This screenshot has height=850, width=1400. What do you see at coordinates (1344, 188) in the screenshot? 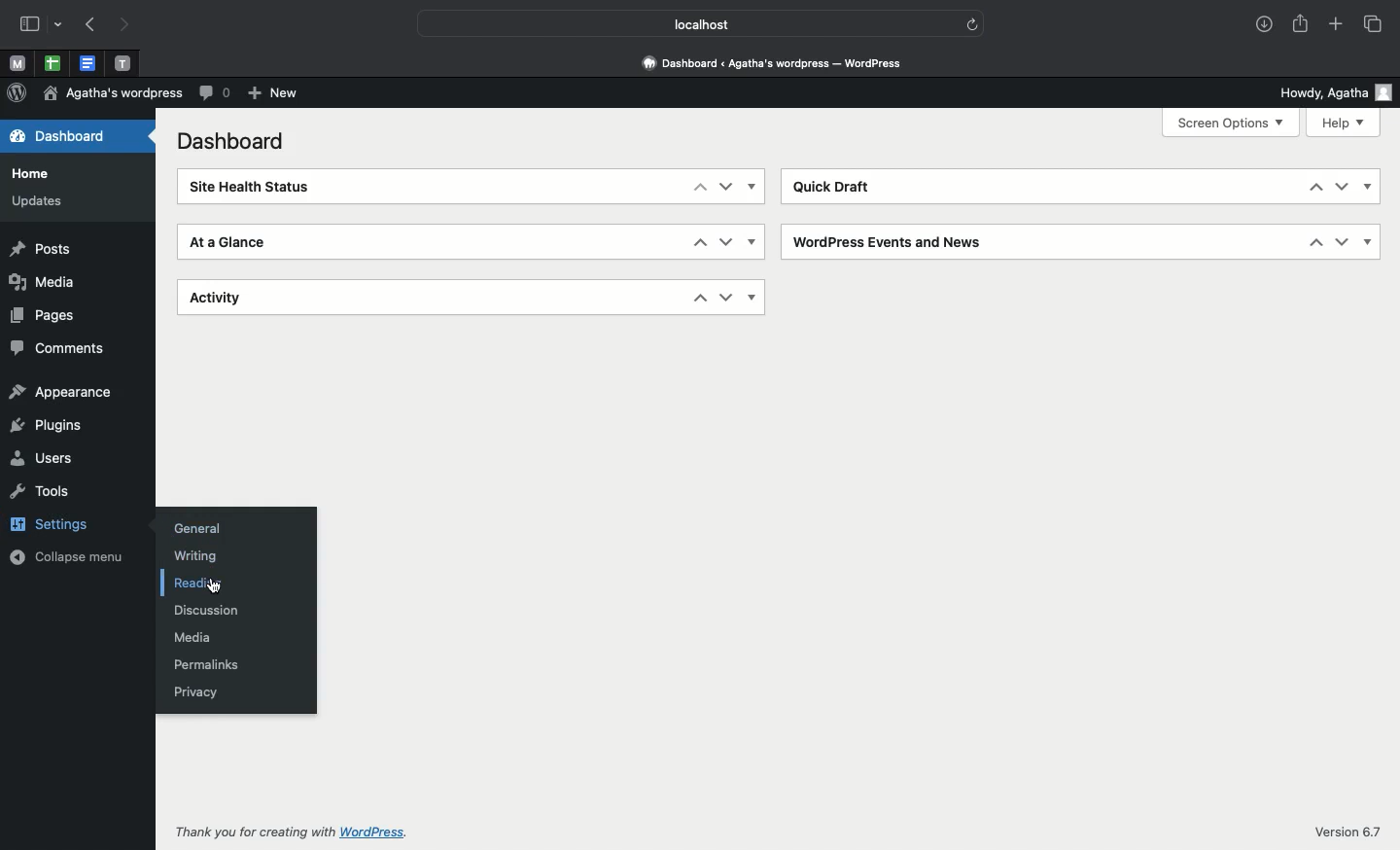
I see `Down` at bounding box center [1344, 188].